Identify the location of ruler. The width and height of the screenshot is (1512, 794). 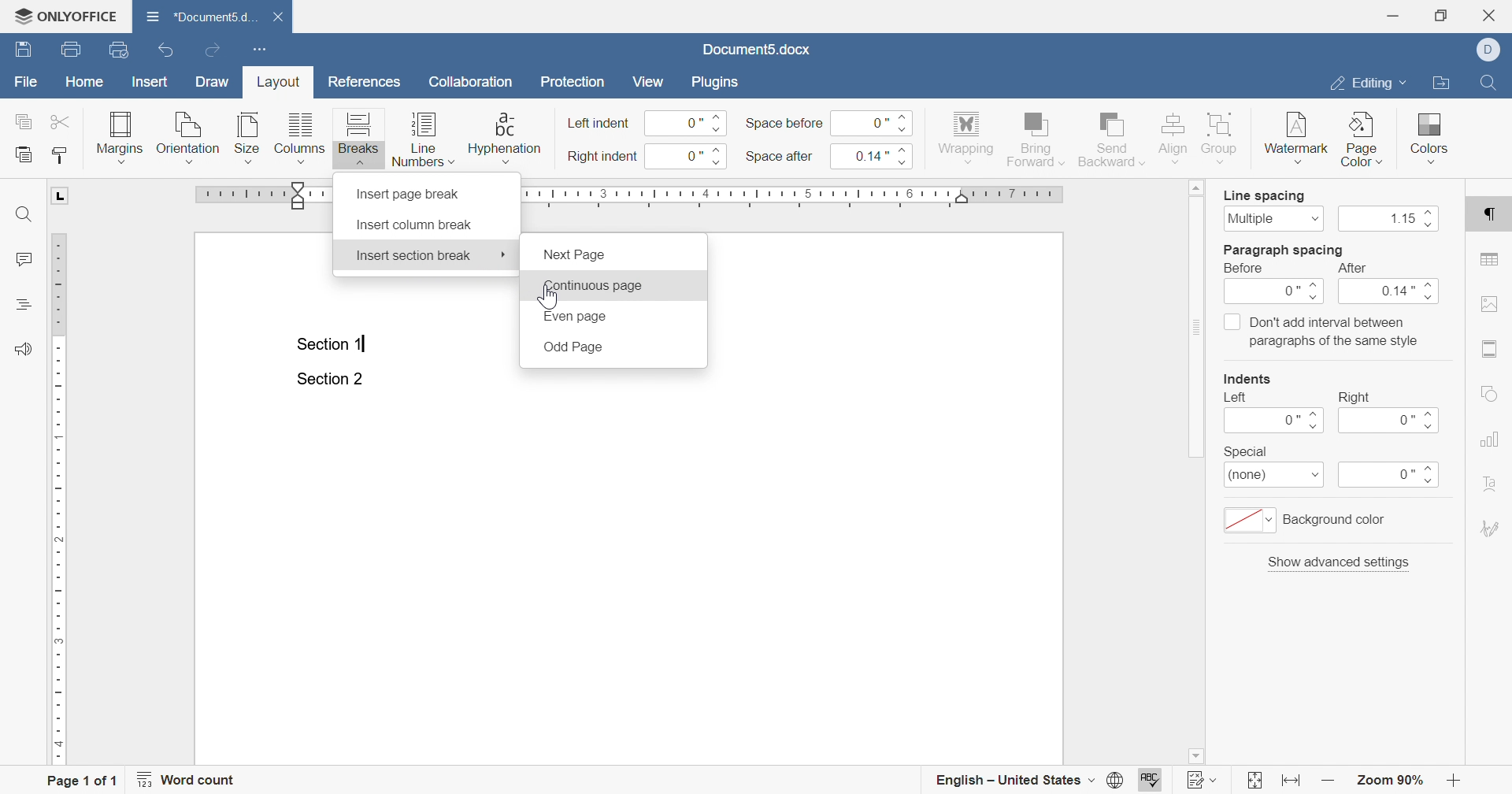
(802, 196).